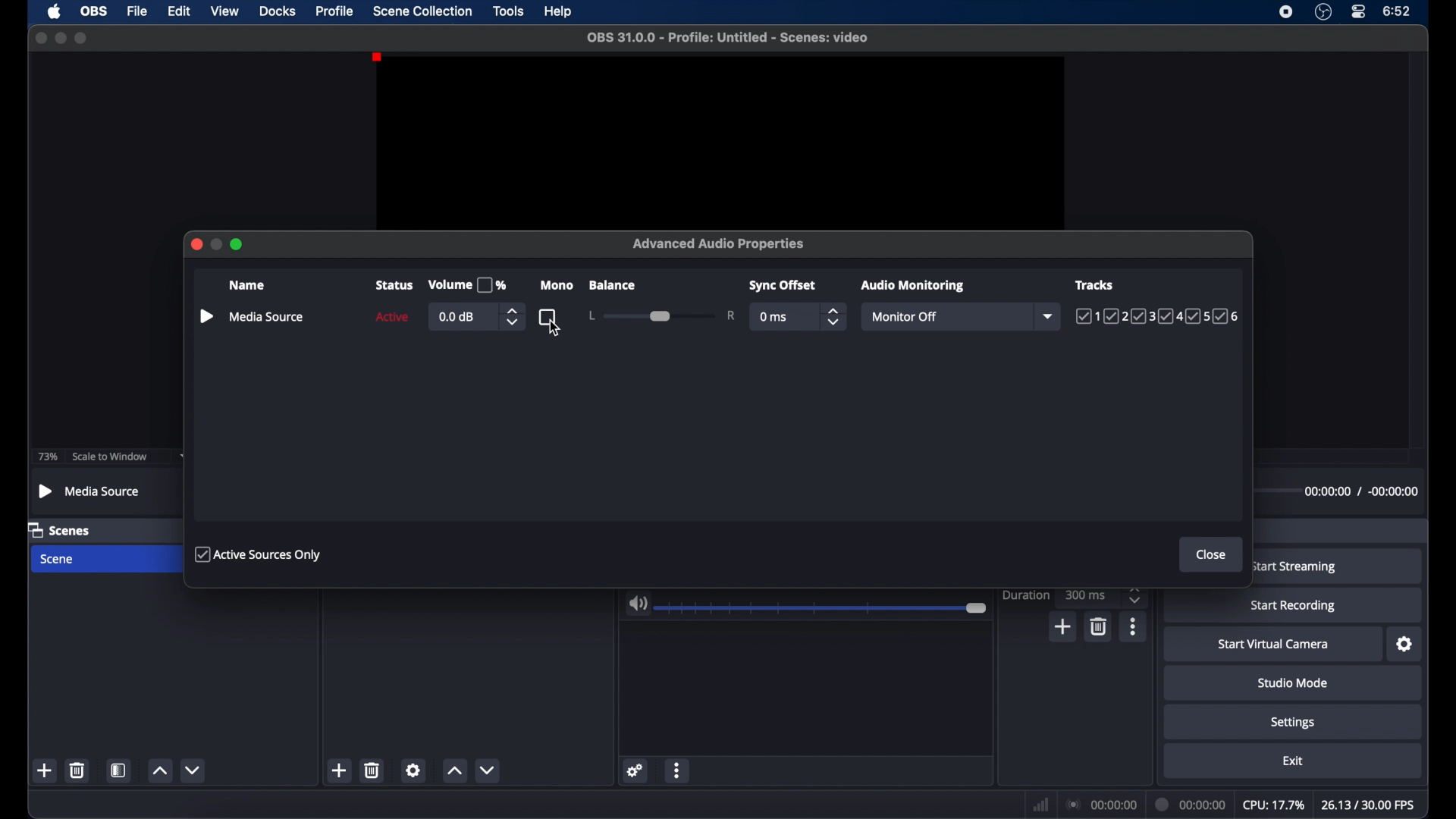 The height and width of the screenshot is (819, 1456). Describe the element at coordinates (1211, 555) in the screenshot. I see `close` at that location.